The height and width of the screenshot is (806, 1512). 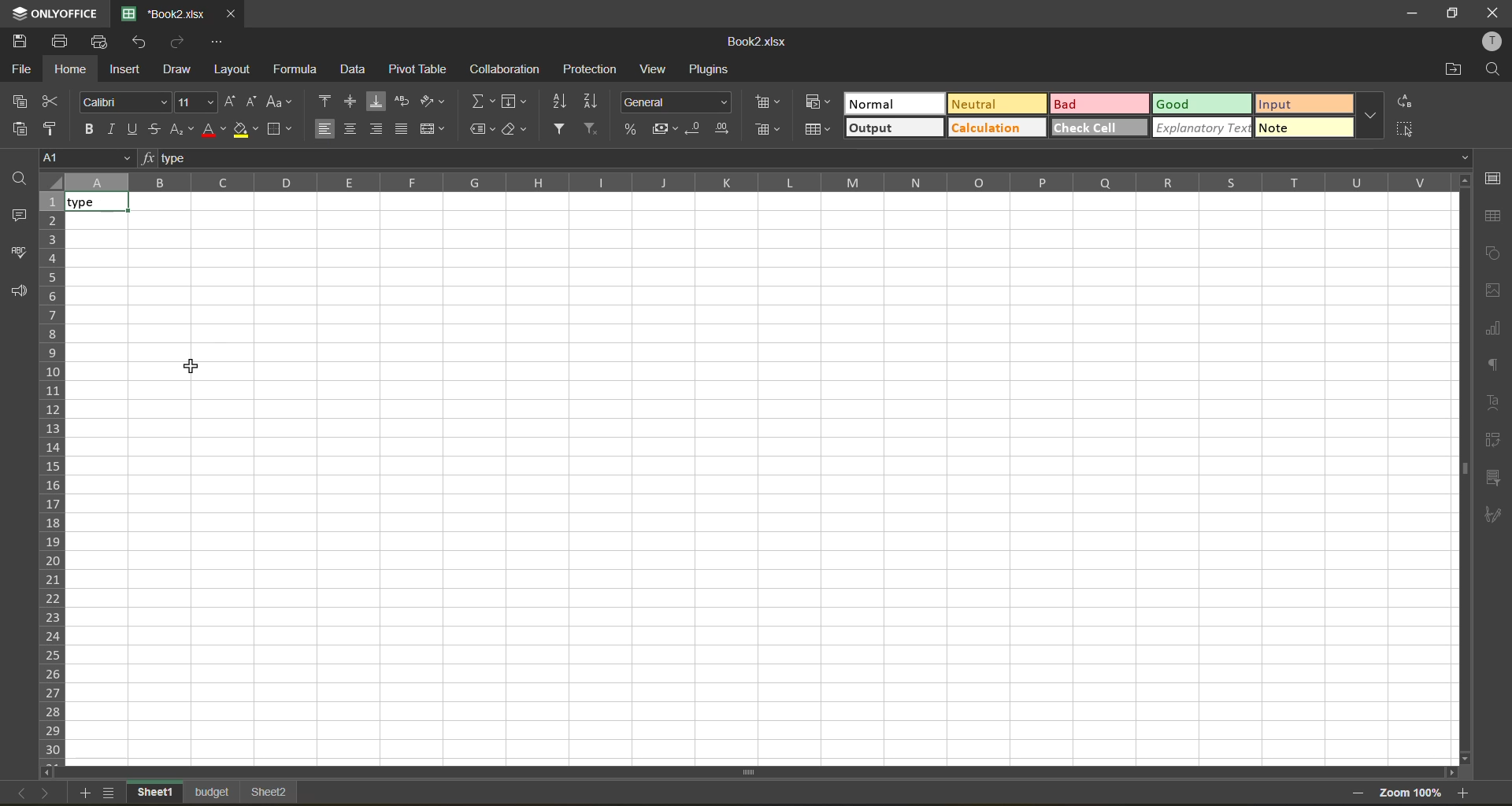 What do you see at coordinates (93, 130) in the screenshot?
I see `bold` at bounding box center [93, 130].